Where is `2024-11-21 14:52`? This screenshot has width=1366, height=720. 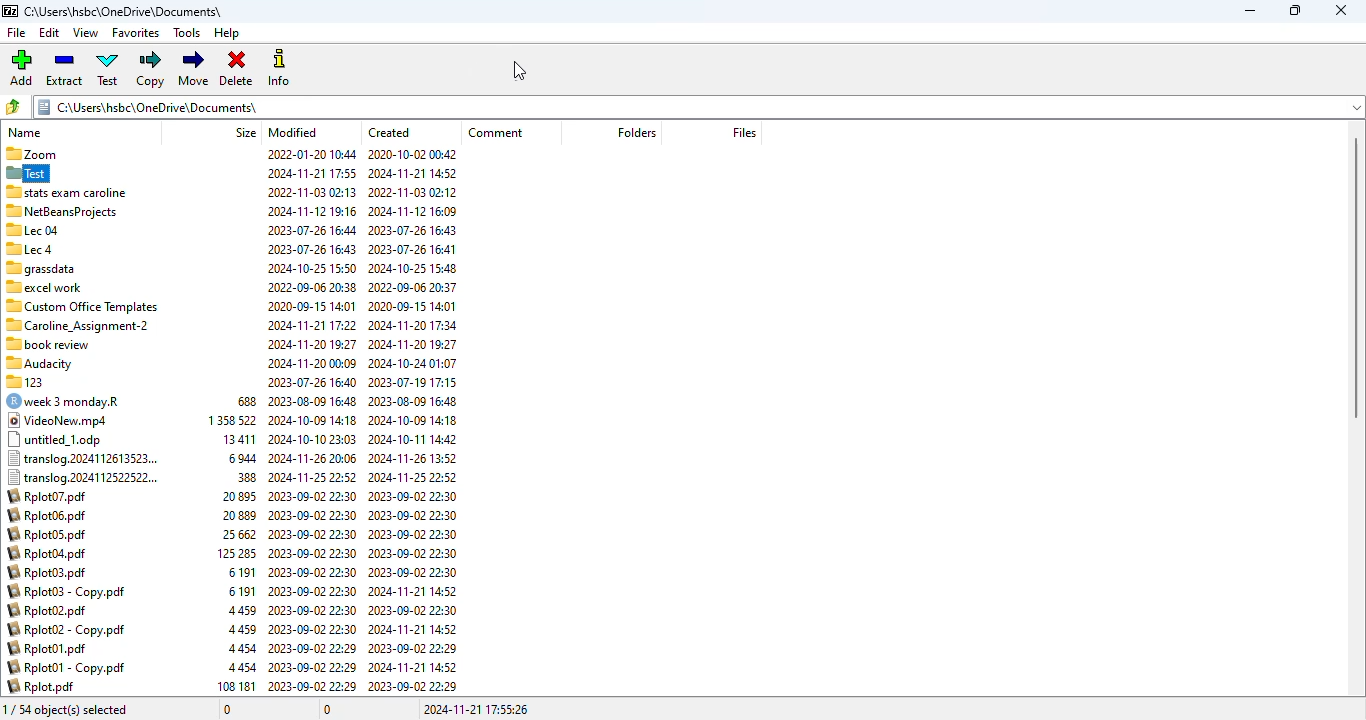 2024-11-21 14:52 is located at coordinates (412, 173).